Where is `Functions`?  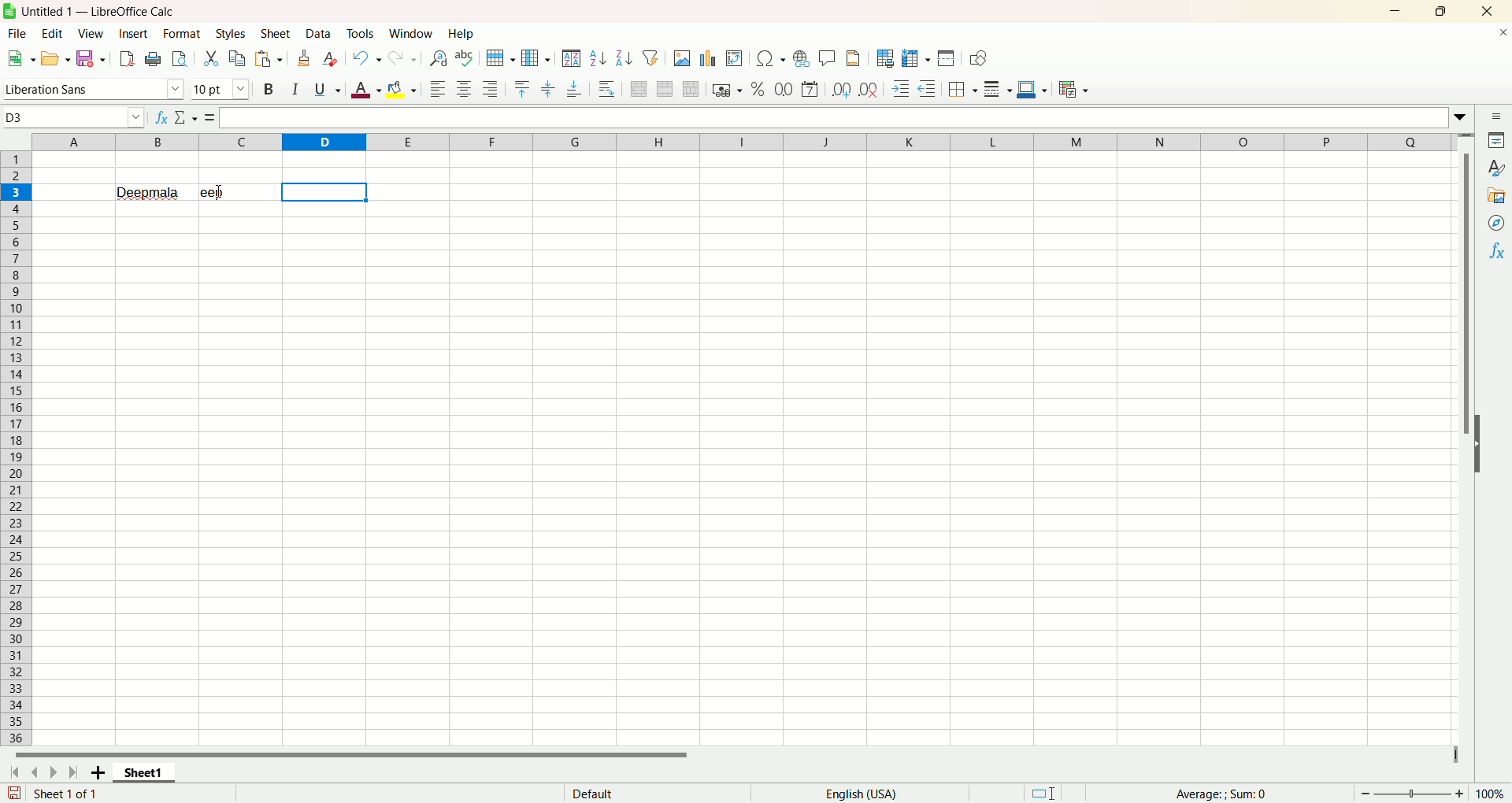 Functions is located at coordinates (1495, 250).